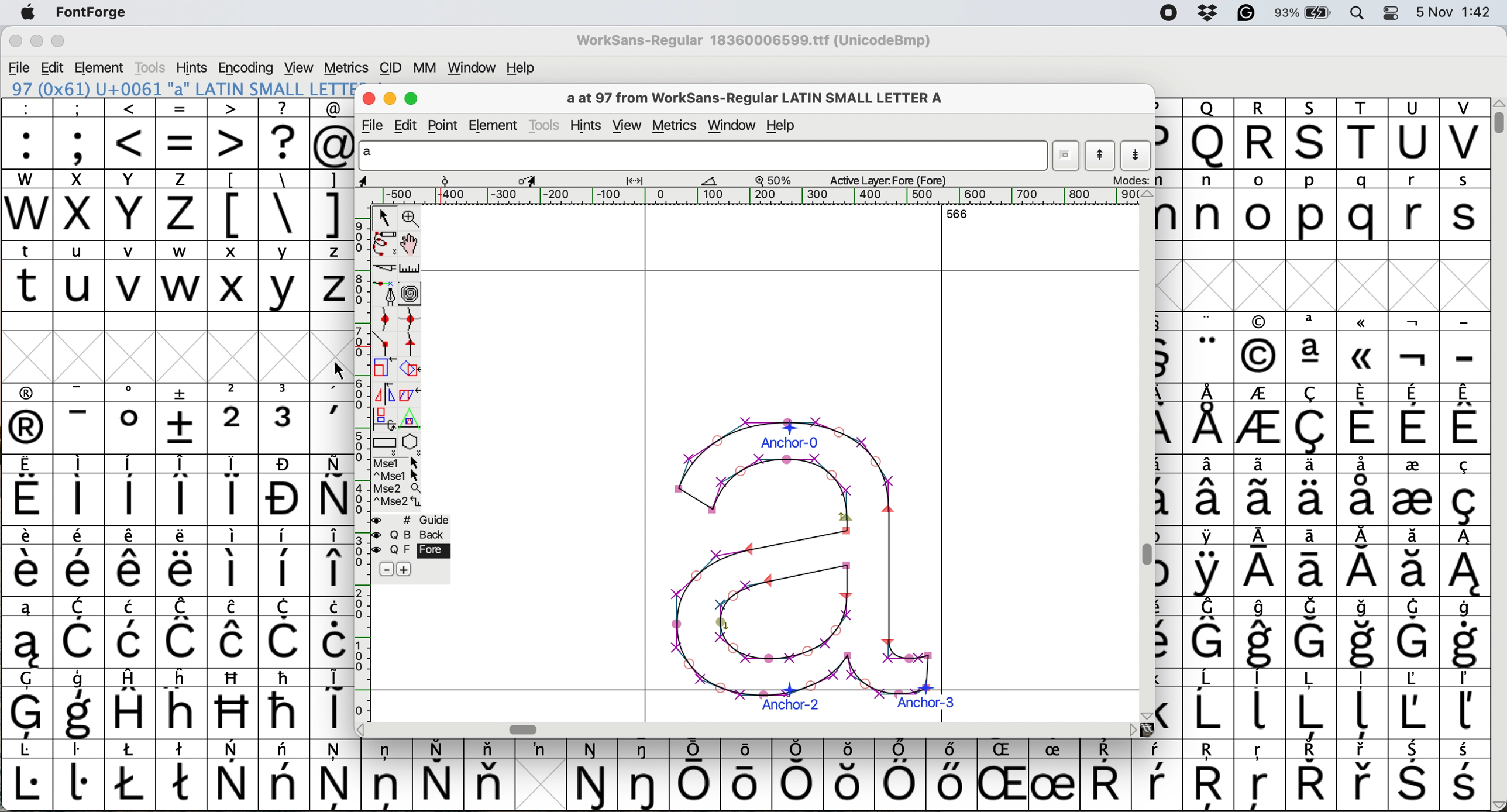 The width and height of the screenshot is (1507, 812). Describe the element at coordinates (1313, 133) in the screenshot. I see `` at that location.